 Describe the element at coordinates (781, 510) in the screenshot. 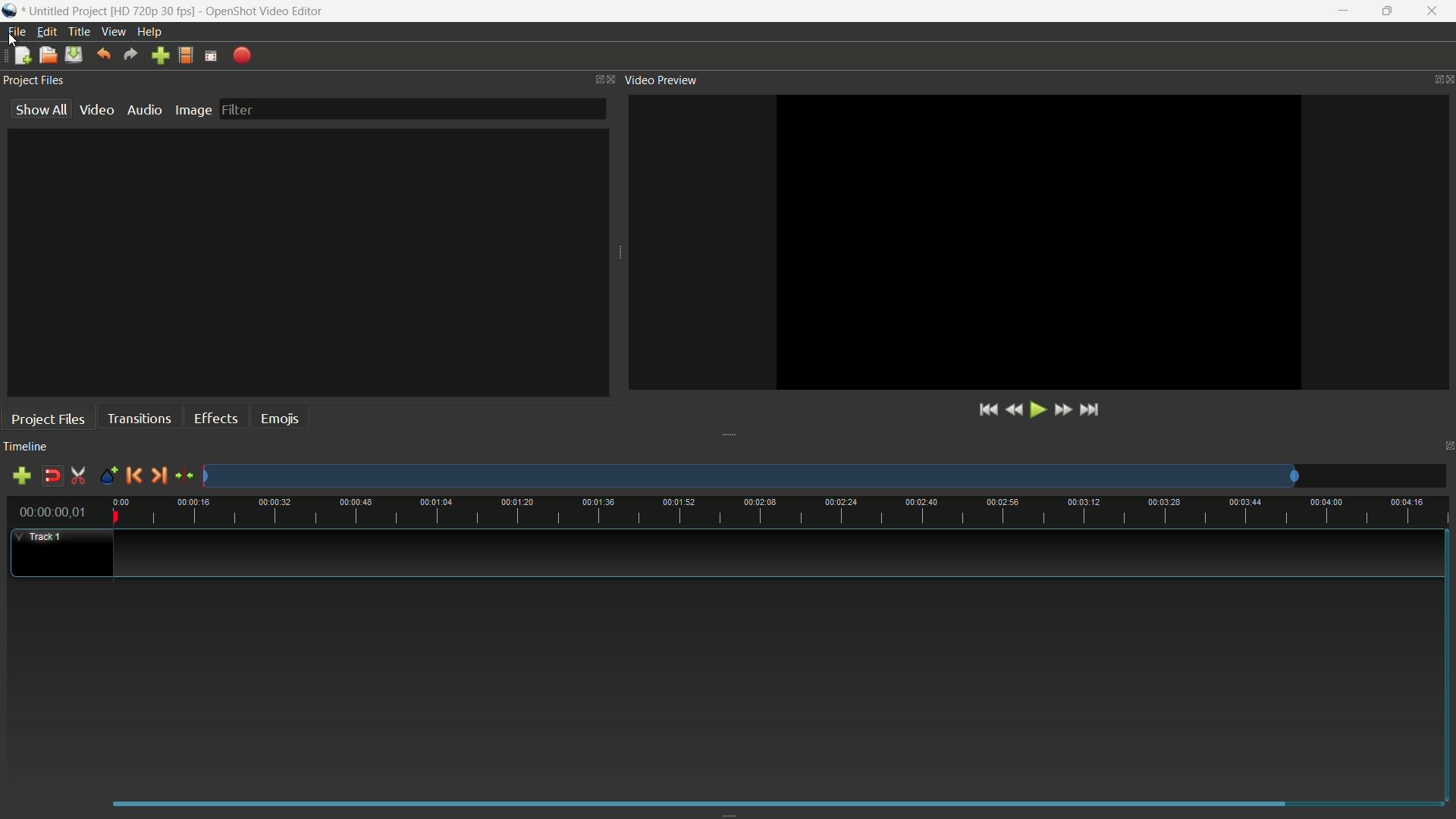

I see `time` at that location.